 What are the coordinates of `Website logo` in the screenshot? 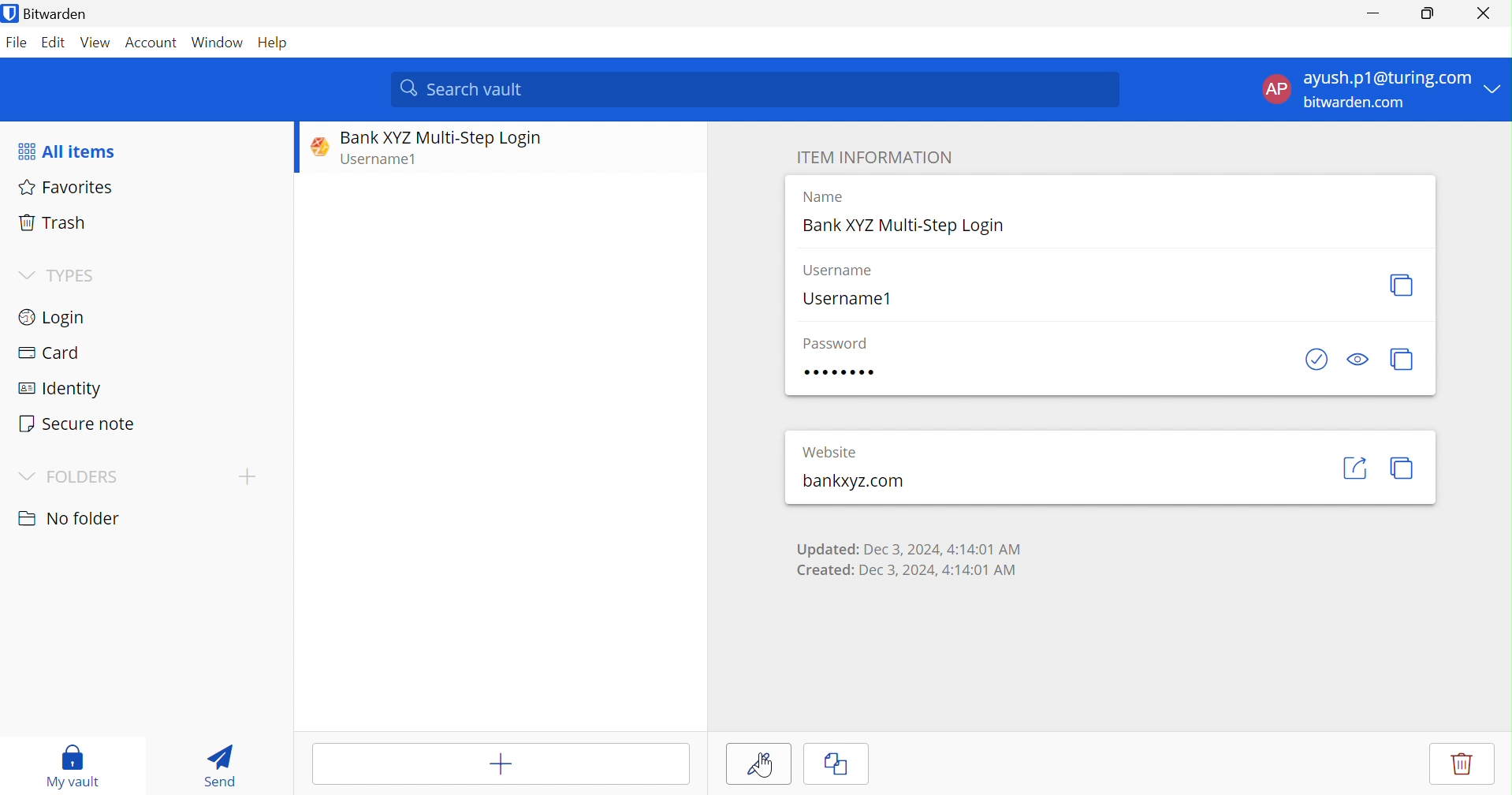 It's located at (315, 146).